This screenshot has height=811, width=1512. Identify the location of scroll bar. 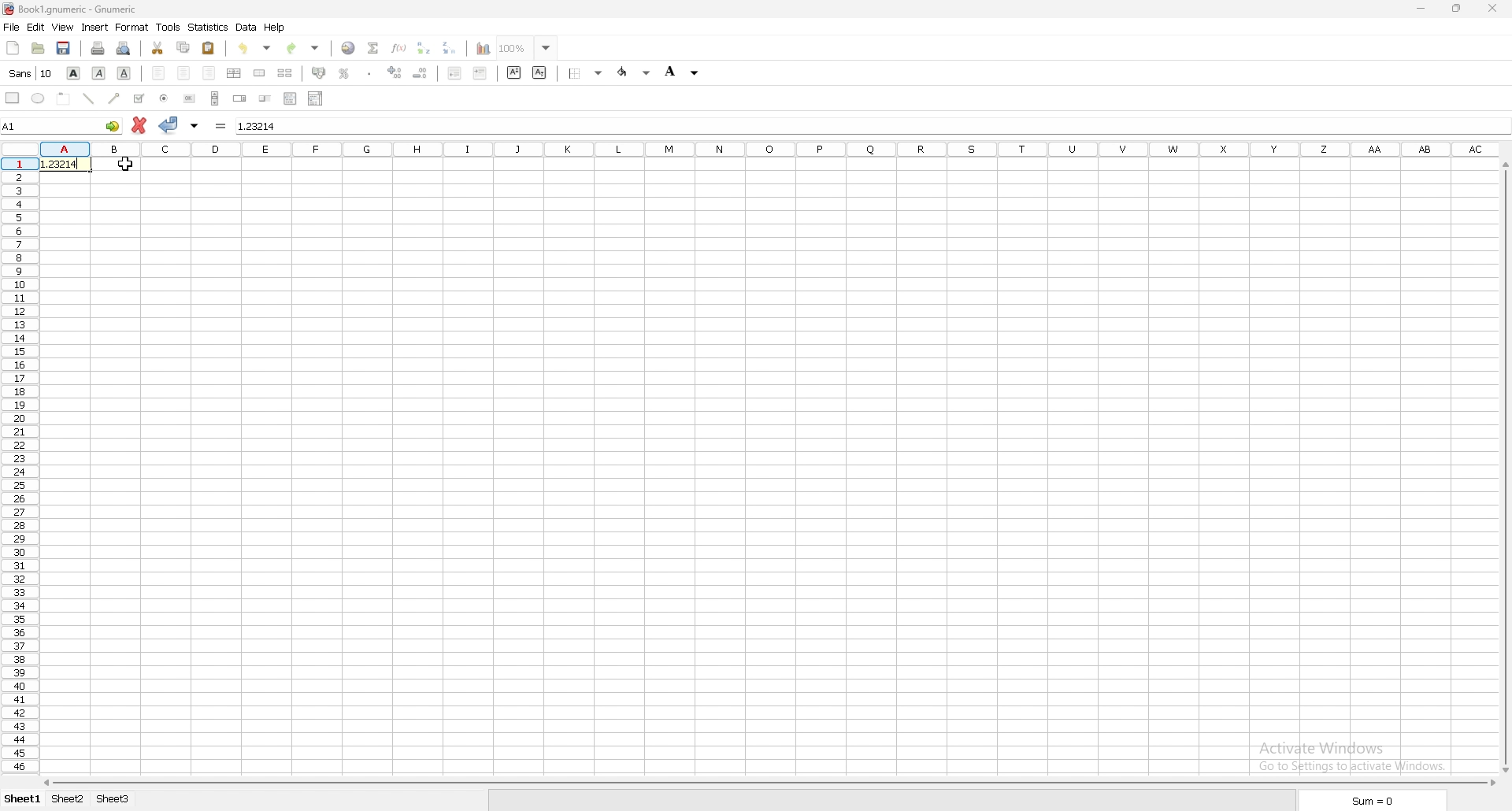
(216, 98).